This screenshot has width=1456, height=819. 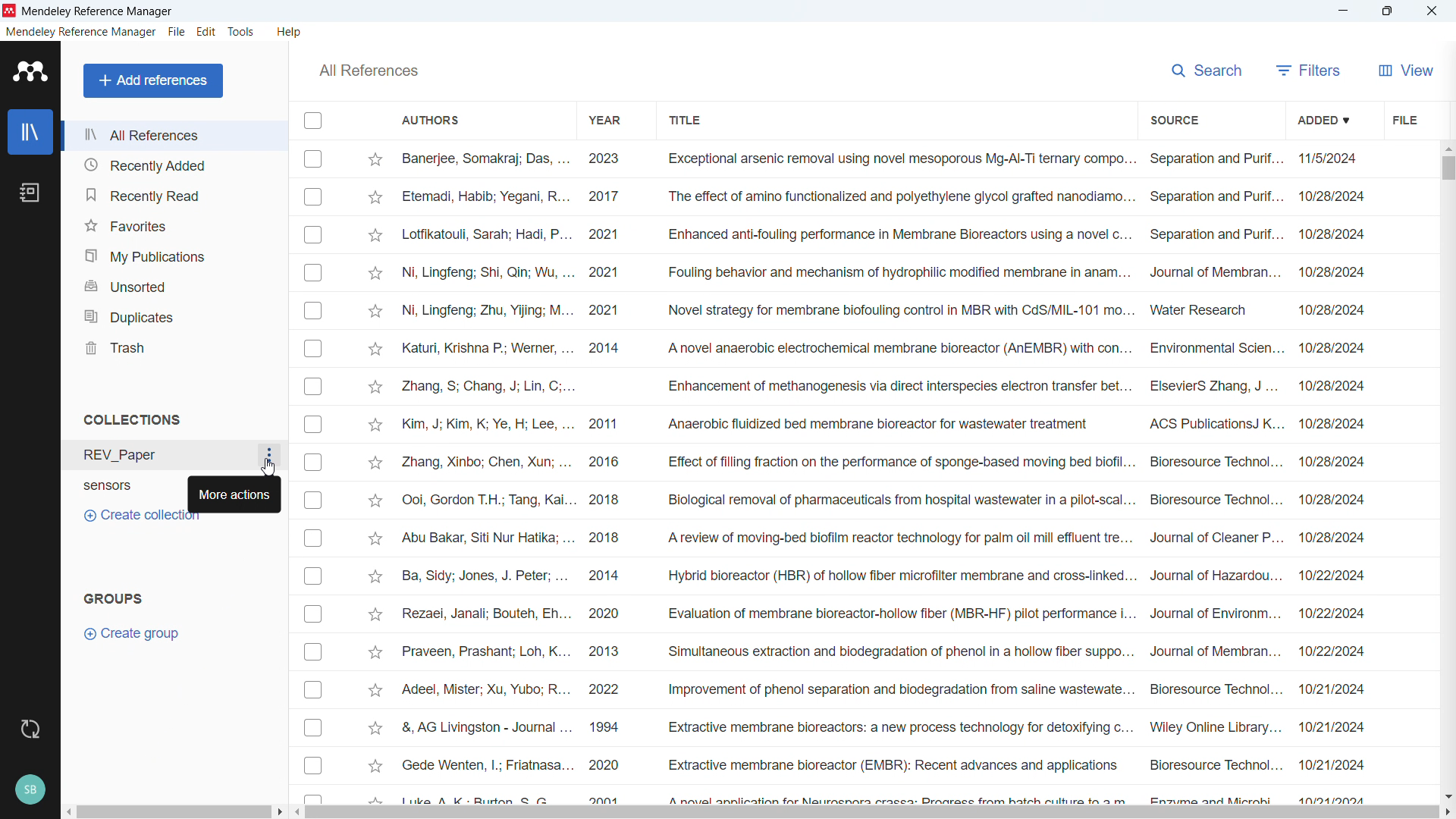 I want to click on Zhang, Xinbo; Chen, Xun; ... 2016 Effect of filling fraction on the performance of sponge-based moving bed biofil... Bioresource Technol... 10/28/2024, so click(x=883, y=461).